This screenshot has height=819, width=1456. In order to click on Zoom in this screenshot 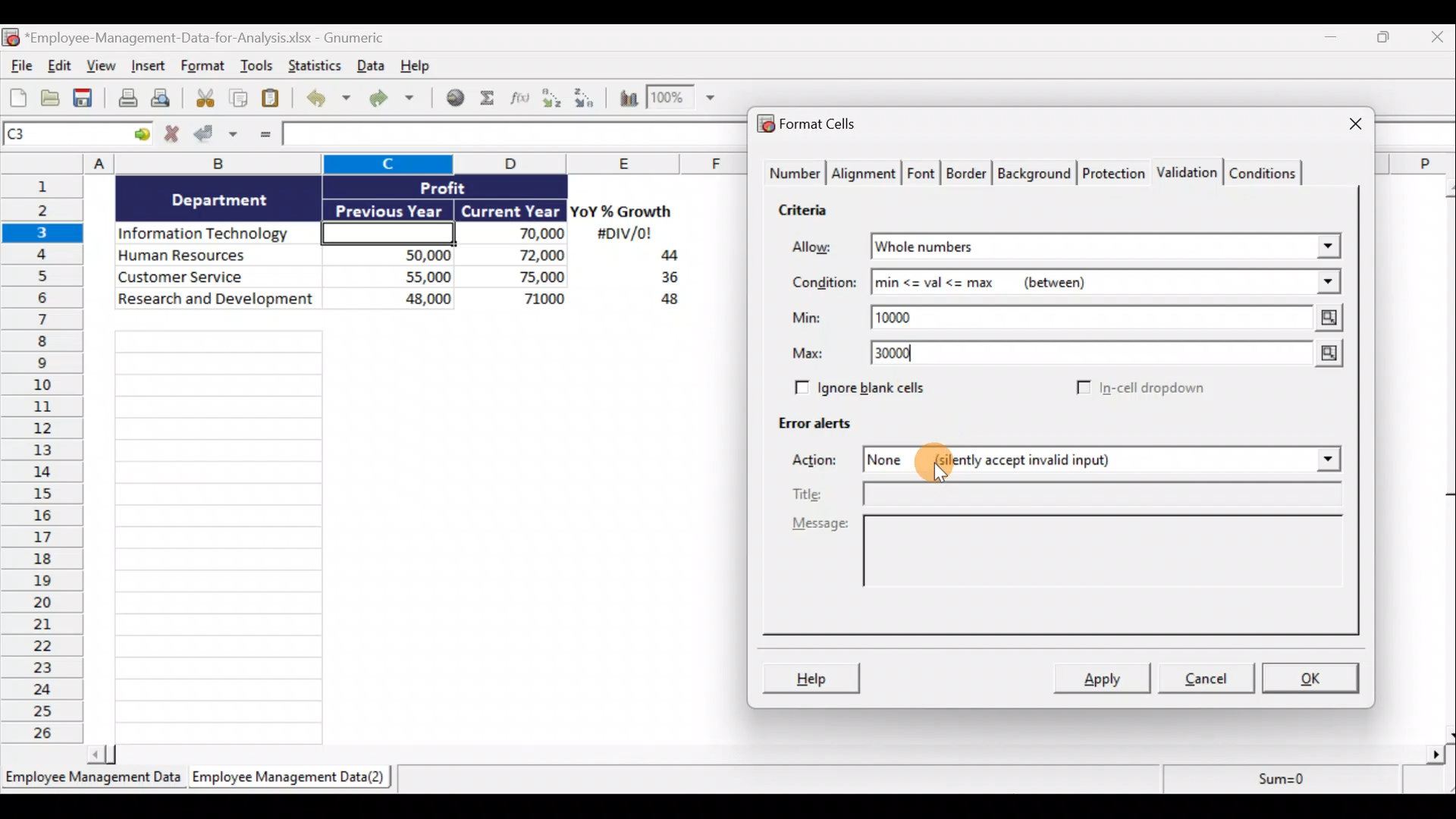, I will do `click(685, 101)`.